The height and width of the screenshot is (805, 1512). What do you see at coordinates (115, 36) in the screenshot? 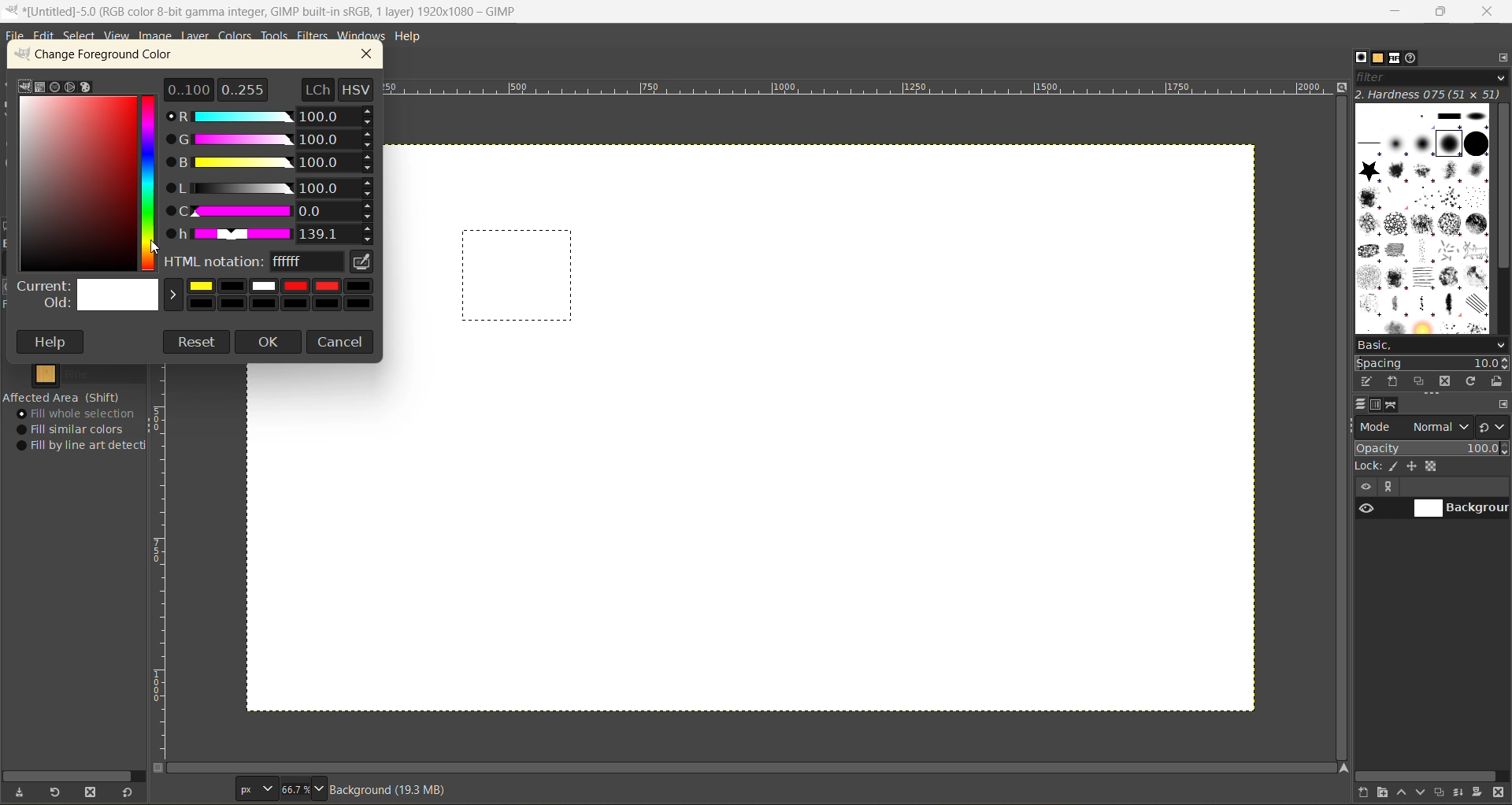
I see `view` at bounding box center [115, 36].